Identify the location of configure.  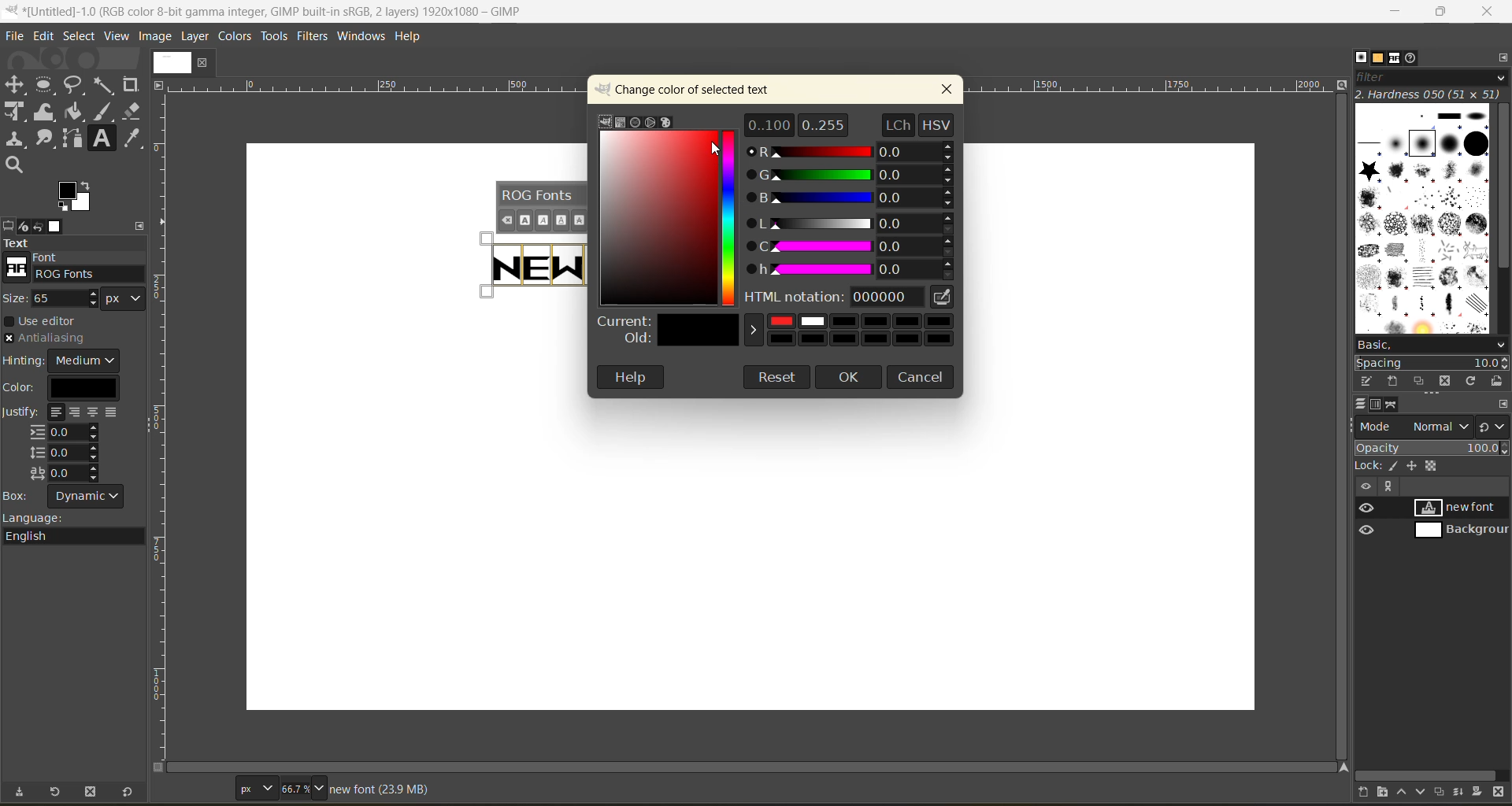
(144, 224).